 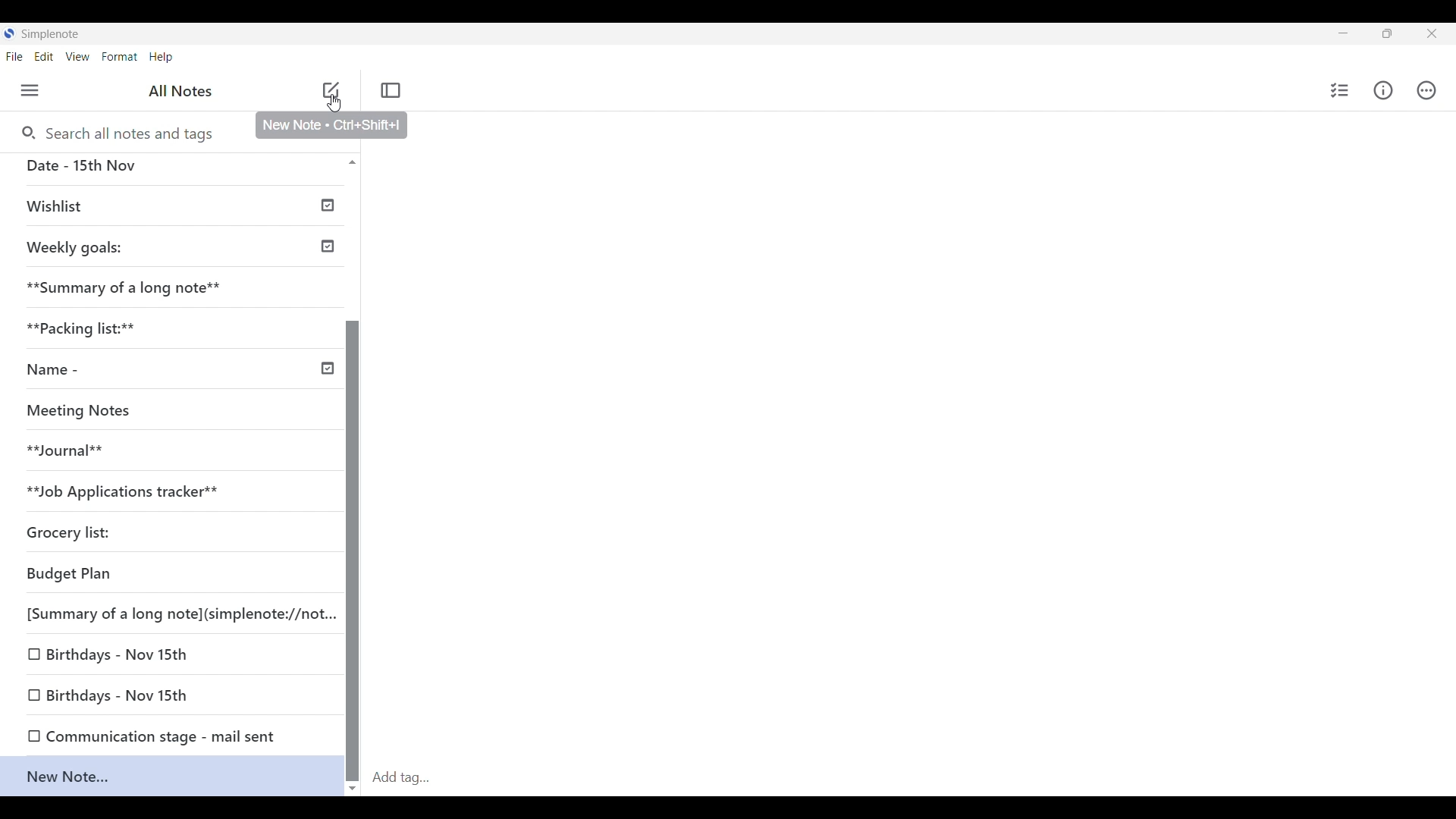 What do you see at coordinates (50, 370) in the screenshot?
I see `Name -` at bounding box center [50, 370].